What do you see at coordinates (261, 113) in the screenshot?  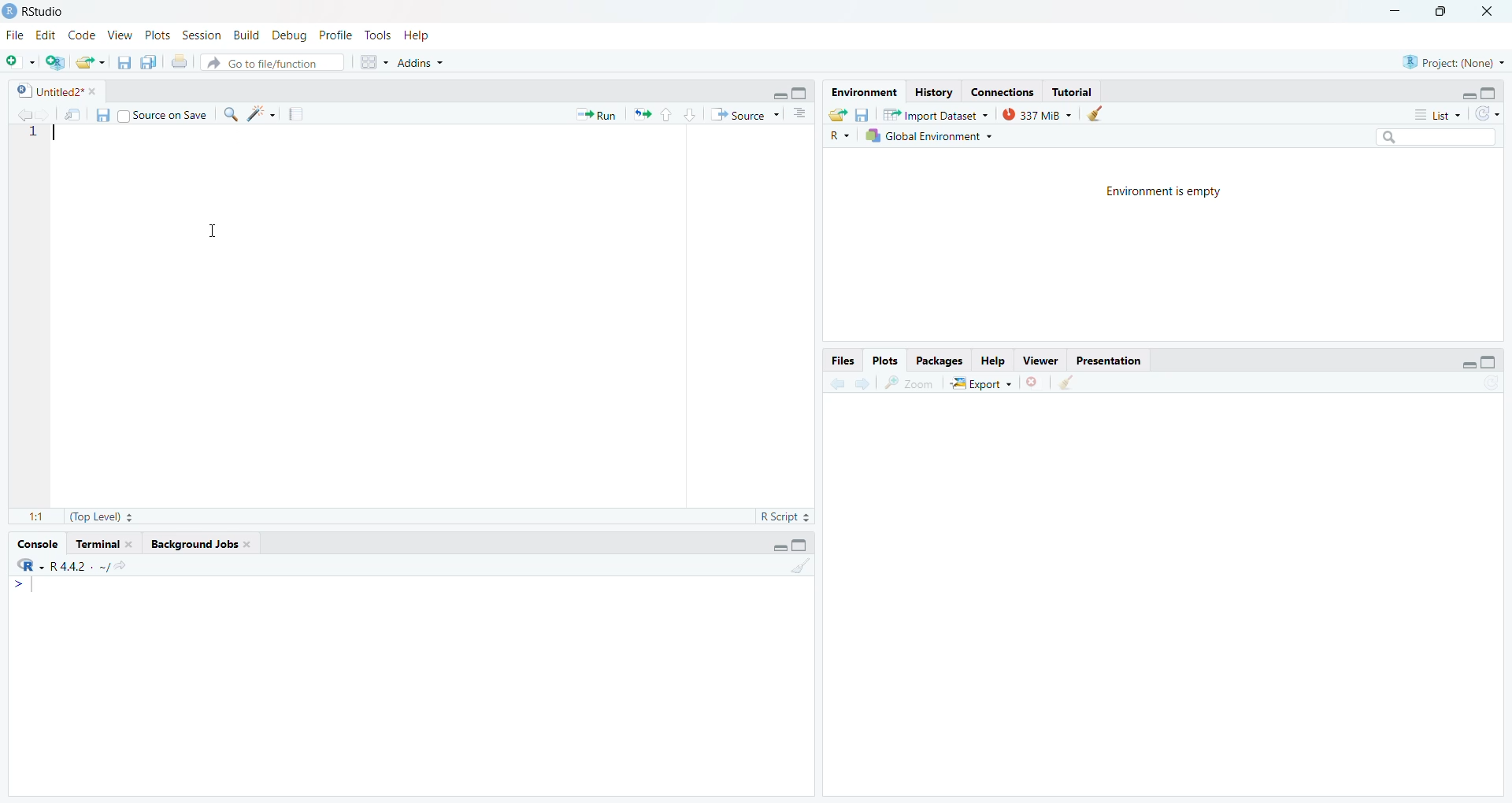 I see `code tools` at bounding box center [261, 113].